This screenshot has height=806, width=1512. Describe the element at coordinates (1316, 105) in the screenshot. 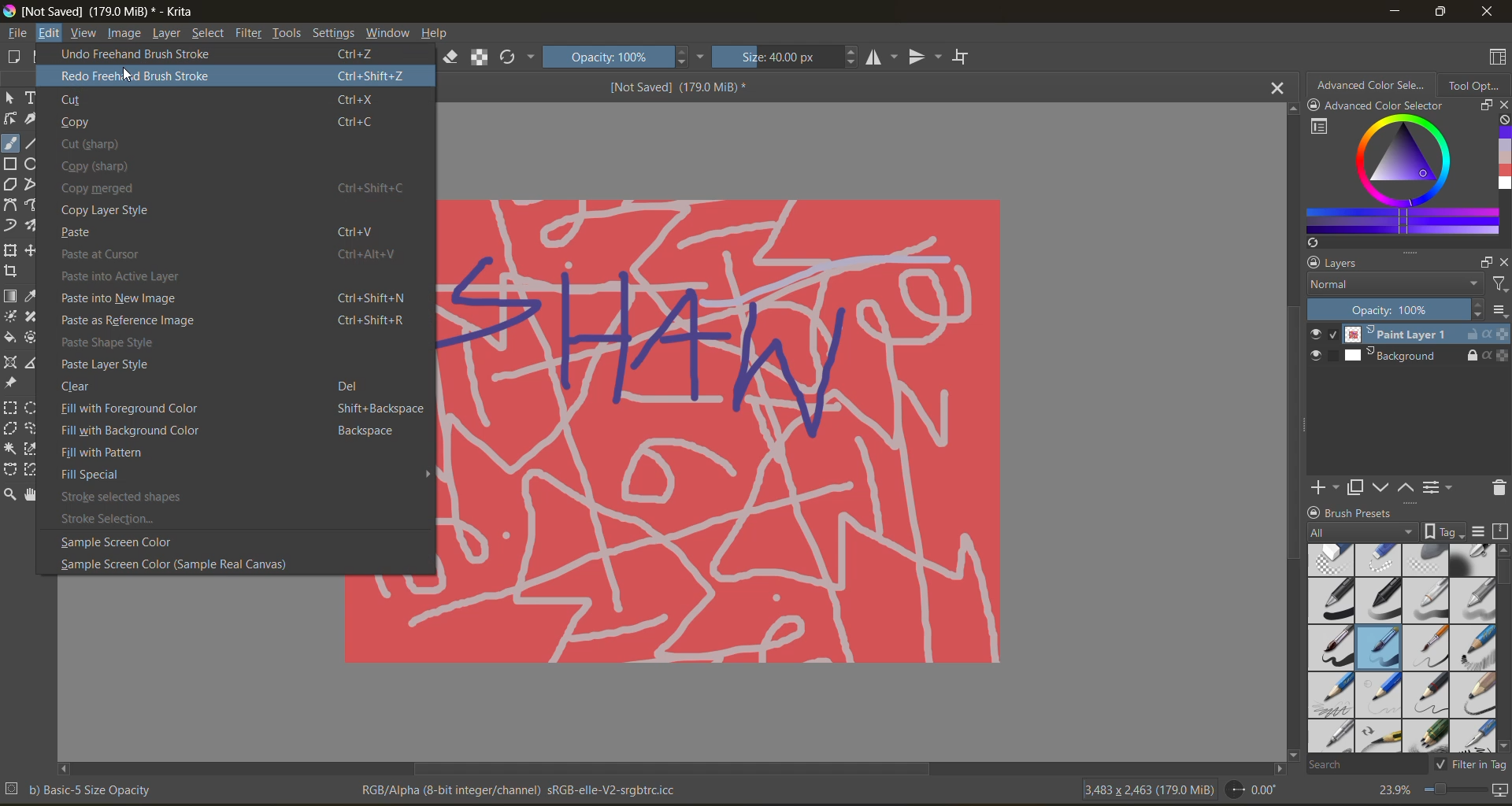

I see `lock docker` at that location.